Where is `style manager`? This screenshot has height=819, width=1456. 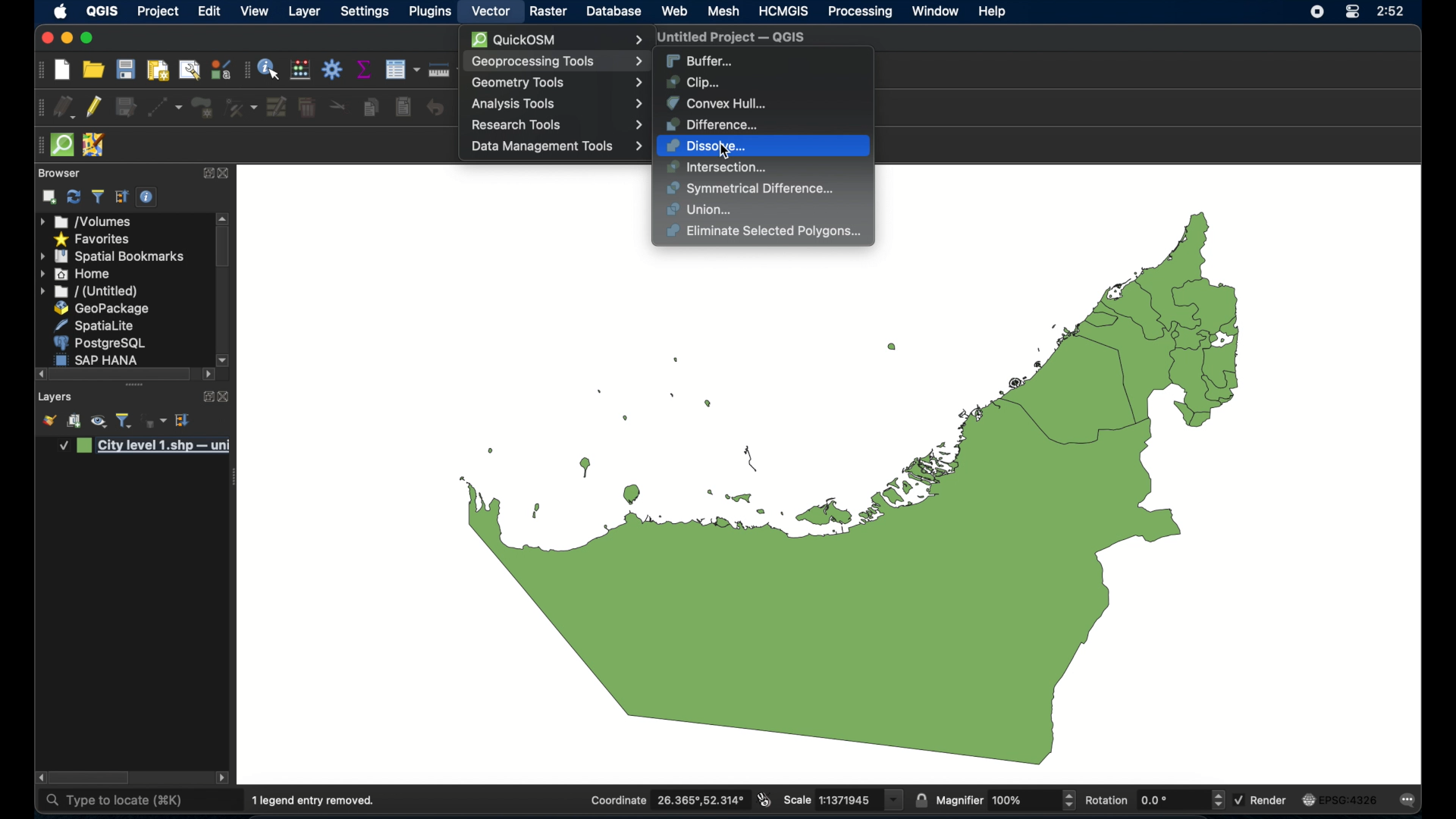
style manager is located at coordinates (219, 69).